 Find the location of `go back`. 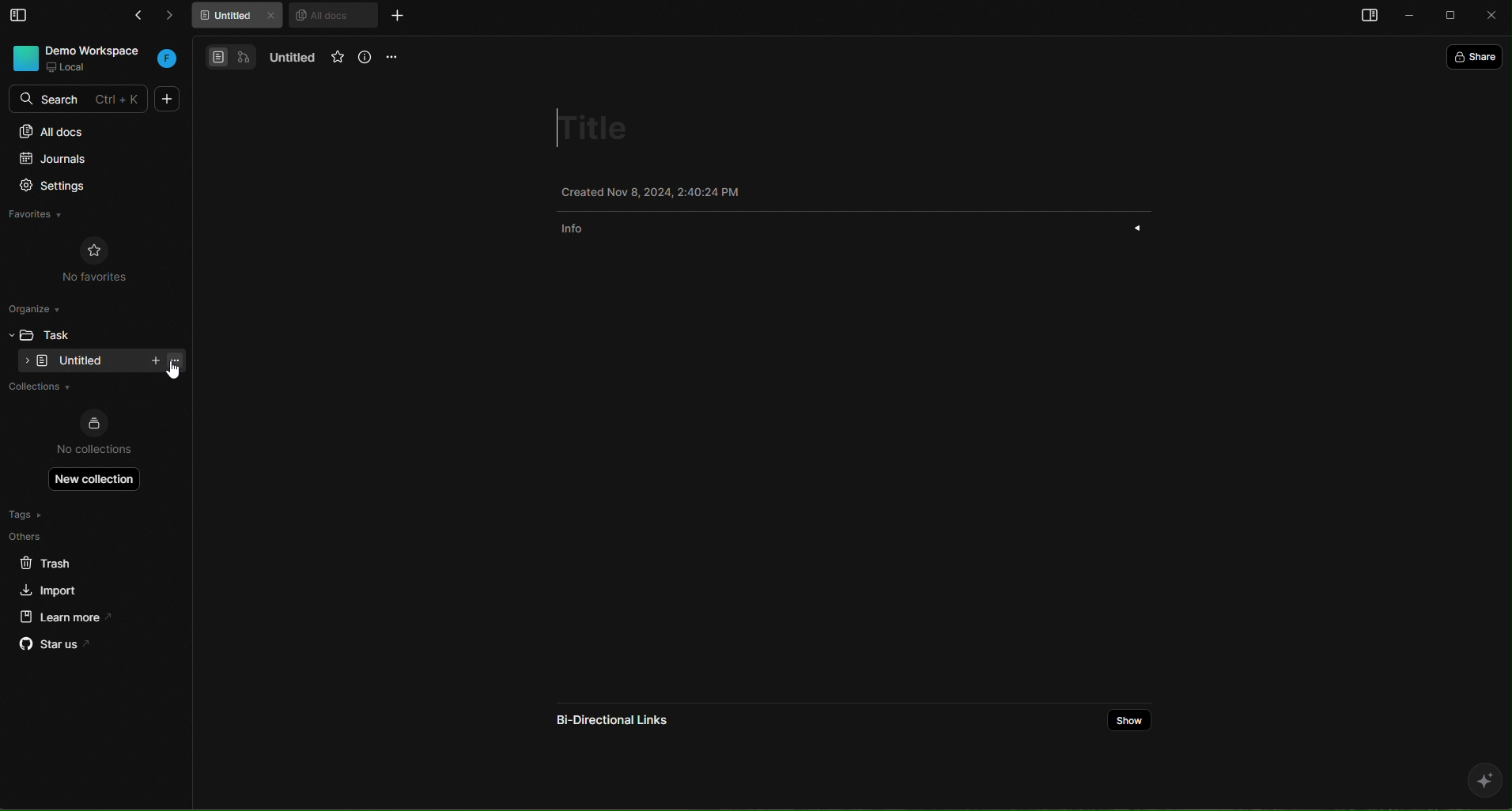

go back is located at coordinates (134, 18).